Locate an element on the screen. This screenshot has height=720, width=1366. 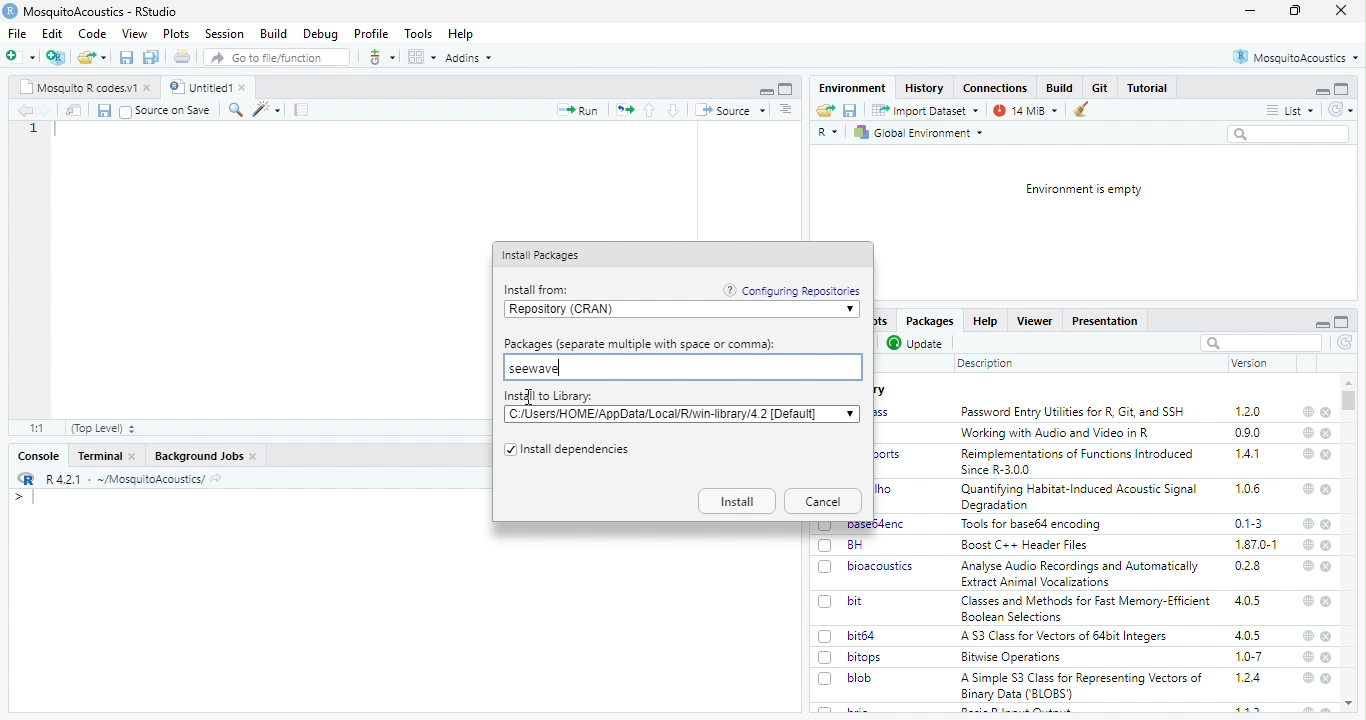
Quantifying Habitat-Induced Acoustic Signal
Degradation is located at coordinates (1081, 498).